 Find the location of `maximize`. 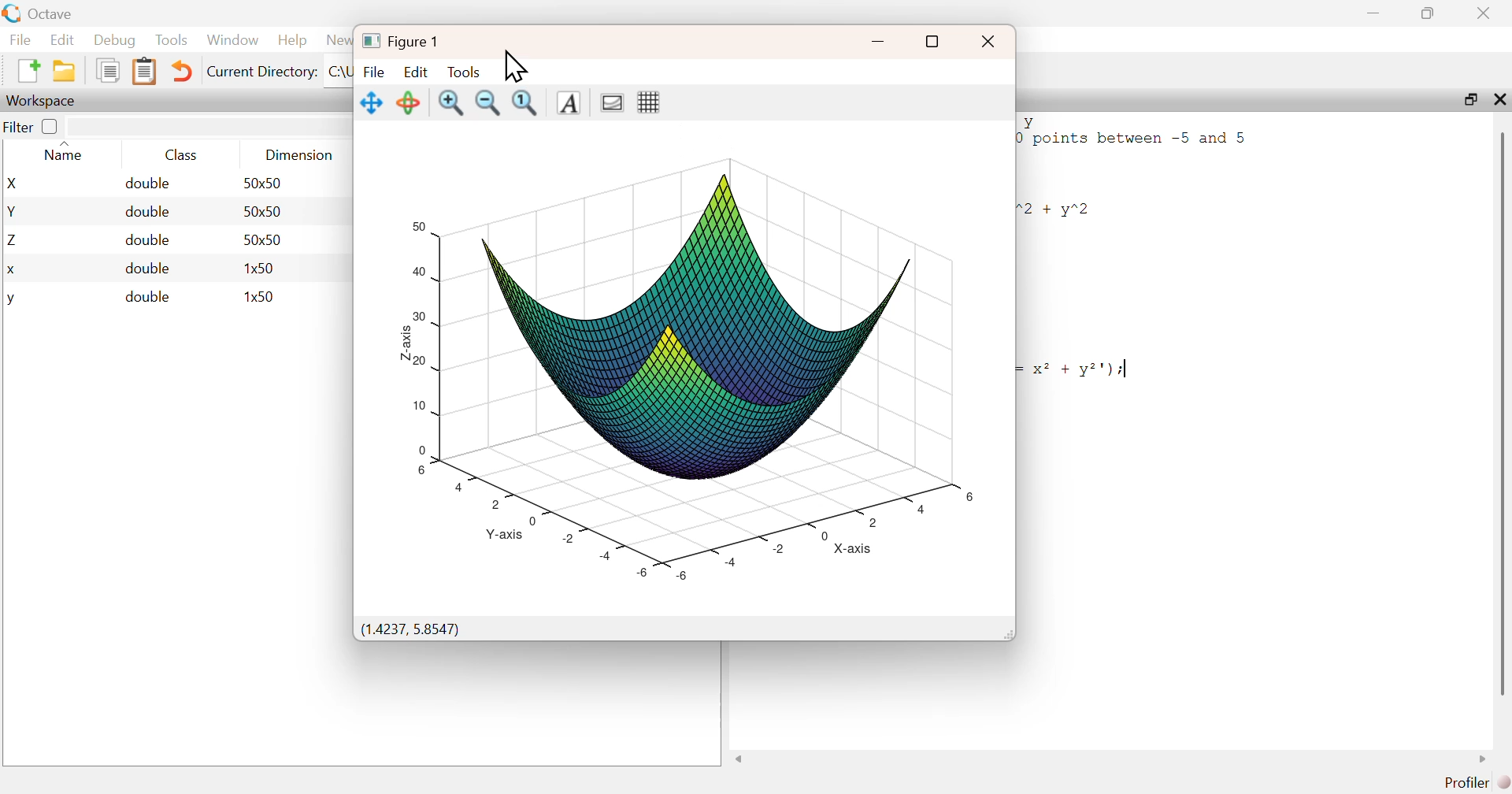

maximize is located at coordinates (1429, 13).